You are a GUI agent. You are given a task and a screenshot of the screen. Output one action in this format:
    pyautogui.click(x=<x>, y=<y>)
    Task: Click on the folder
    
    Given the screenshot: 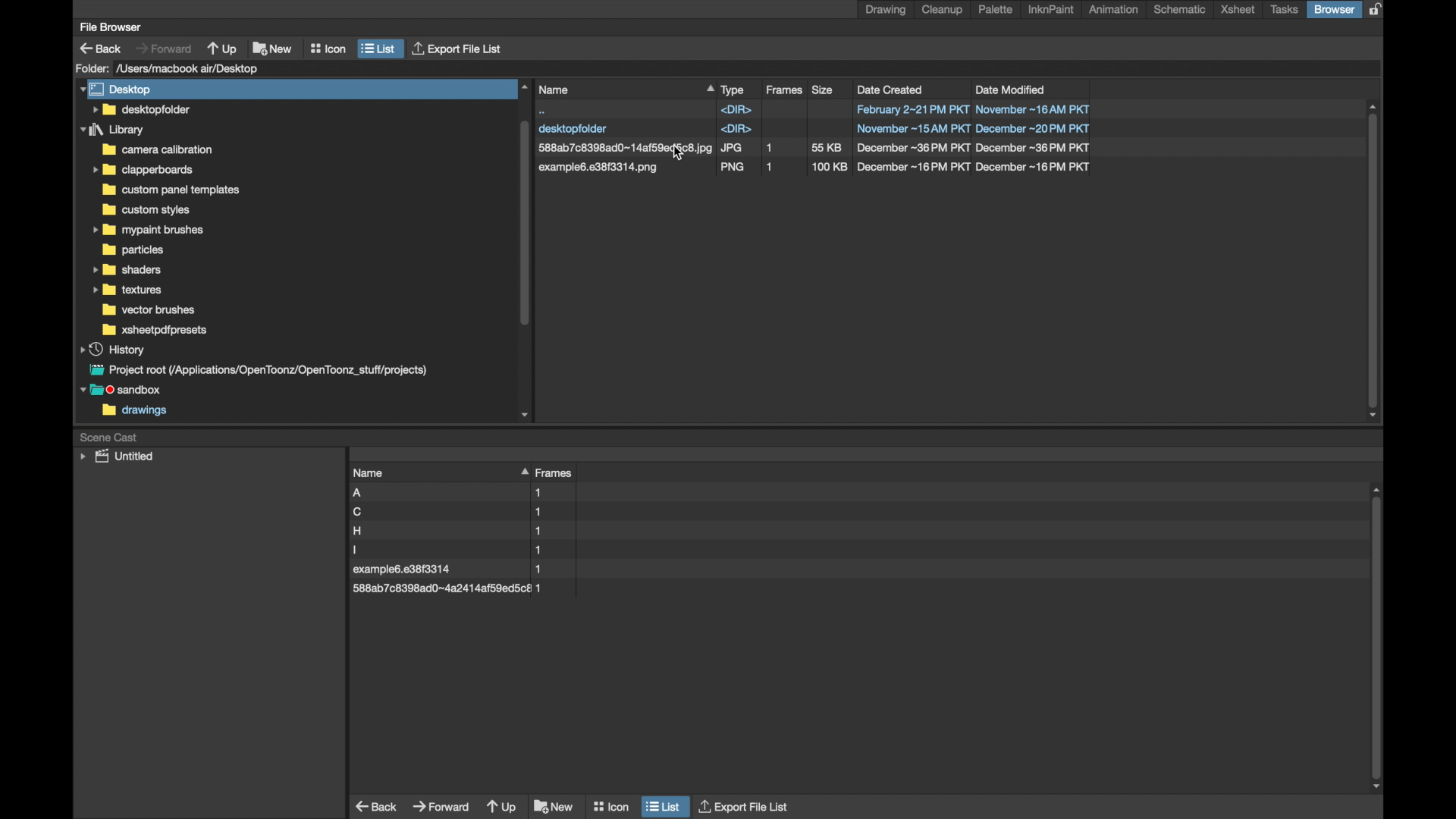 What is the action you would take?
    pyautogui.click(x=128, y=290)
    